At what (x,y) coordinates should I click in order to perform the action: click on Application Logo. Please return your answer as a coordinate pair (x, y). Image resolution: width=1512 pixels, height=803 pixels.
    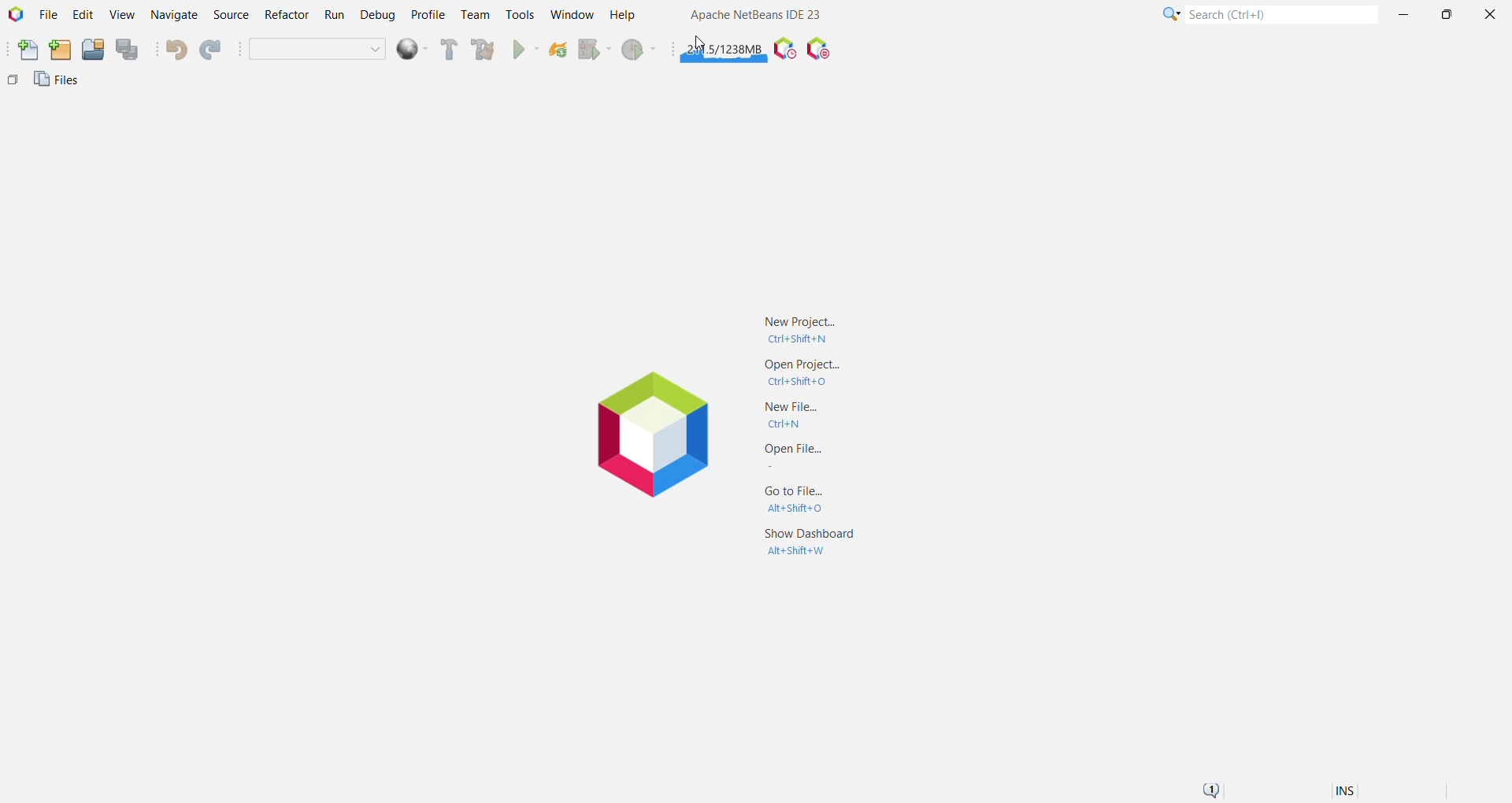
    Looking at the image, I should click on (646, 427).